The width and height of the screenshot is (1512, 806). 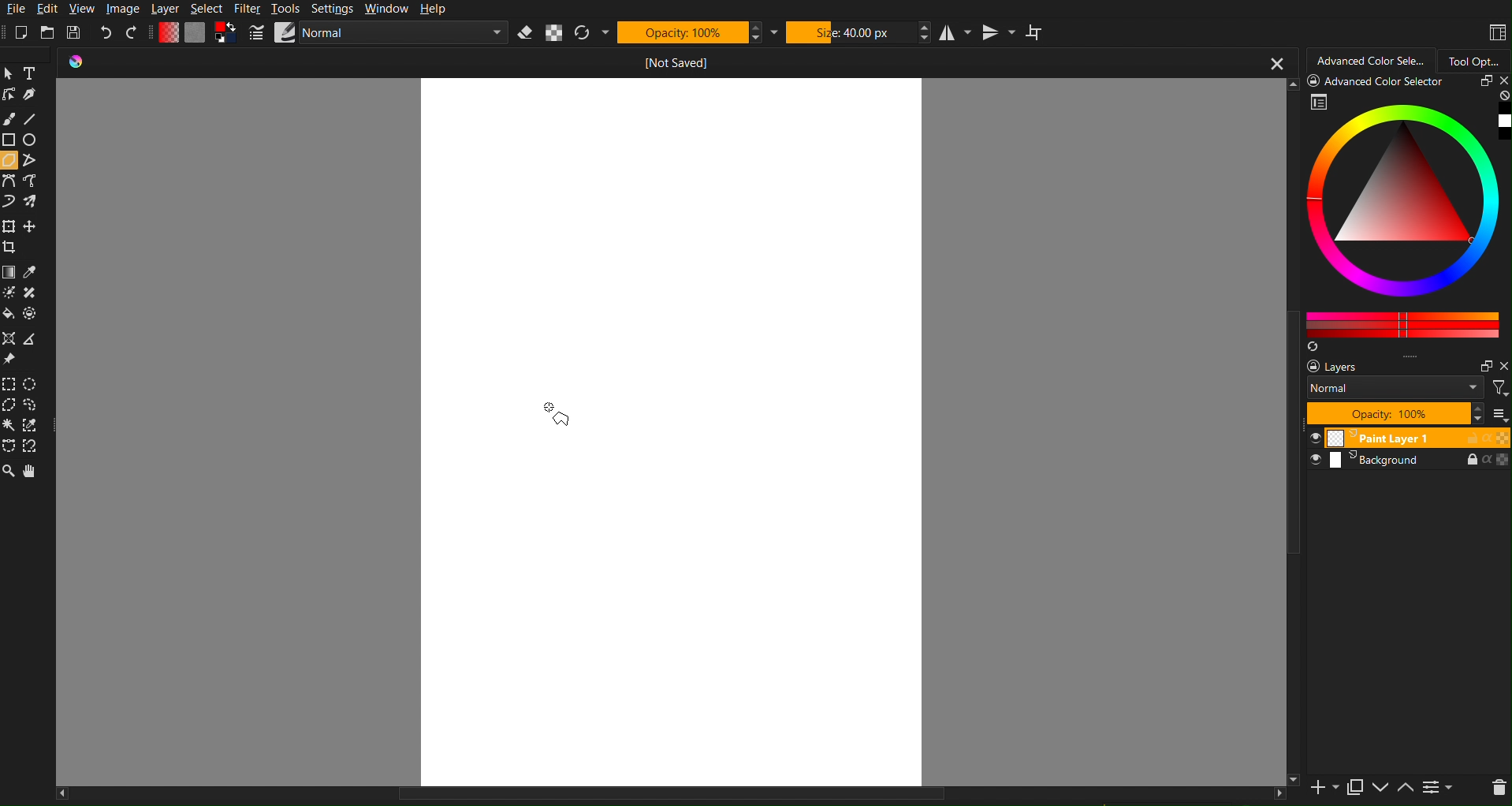 What do you see at coordinates (1276, 62) in the screenshot?
I see `close button` at bounding box center [1276, 62].